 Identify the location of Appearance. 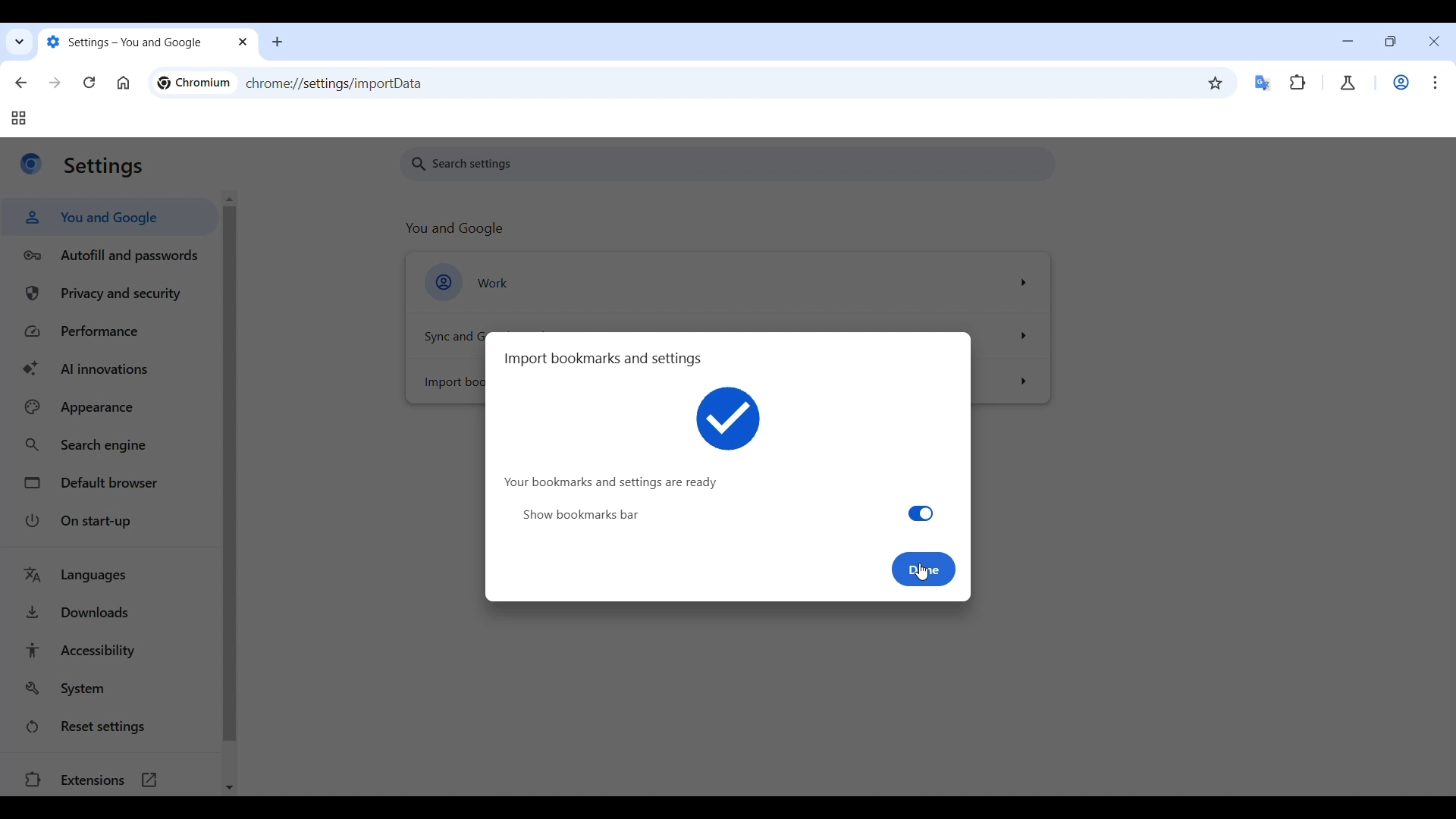
(113, 407).